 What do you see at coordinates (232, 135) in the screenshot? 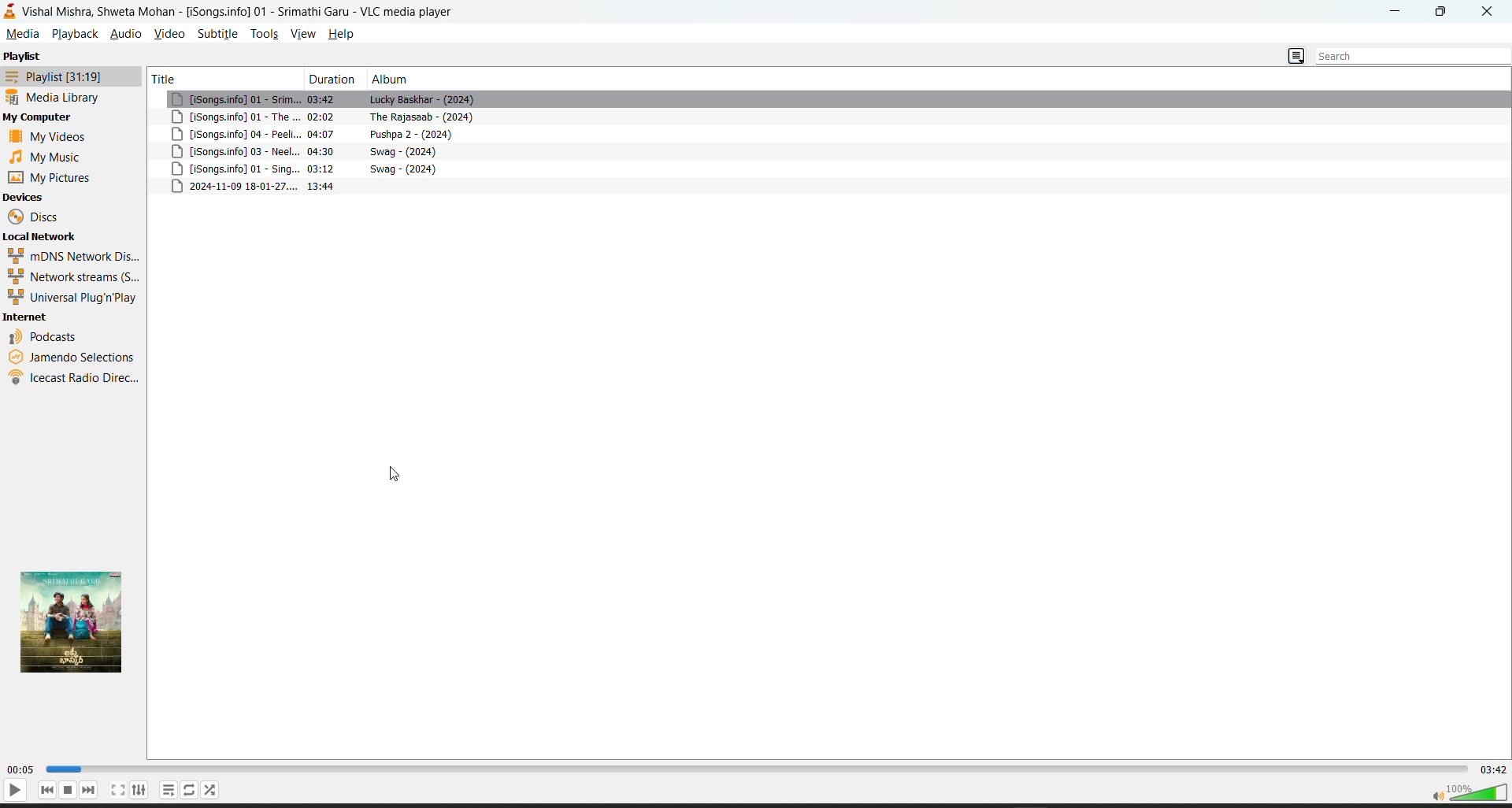
I see `songs info 04-peeli` at bounding box center [232, 135].